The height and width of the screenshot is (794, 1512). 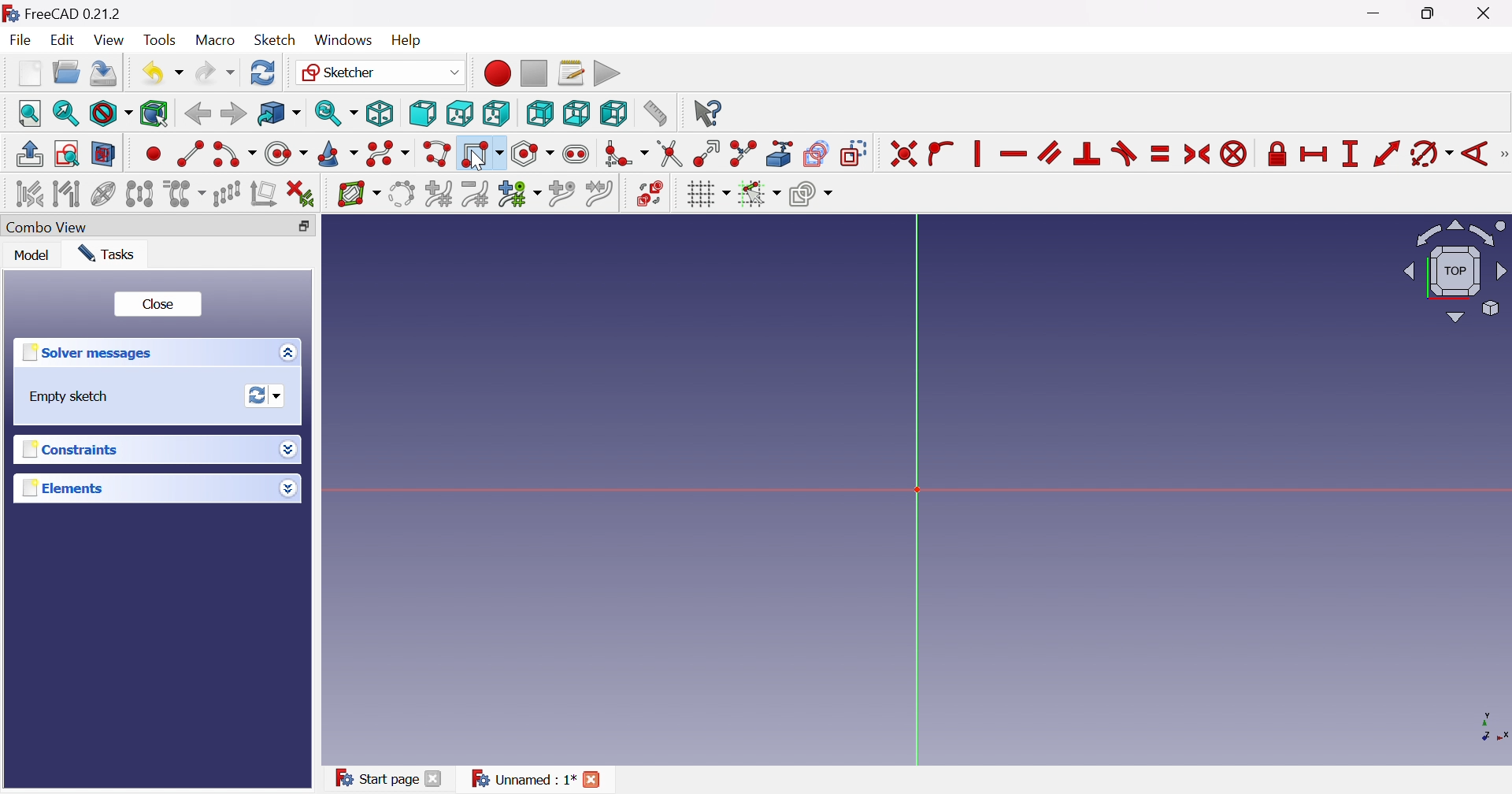 I want to click on Rectangular array, so click(x=228, y=194).